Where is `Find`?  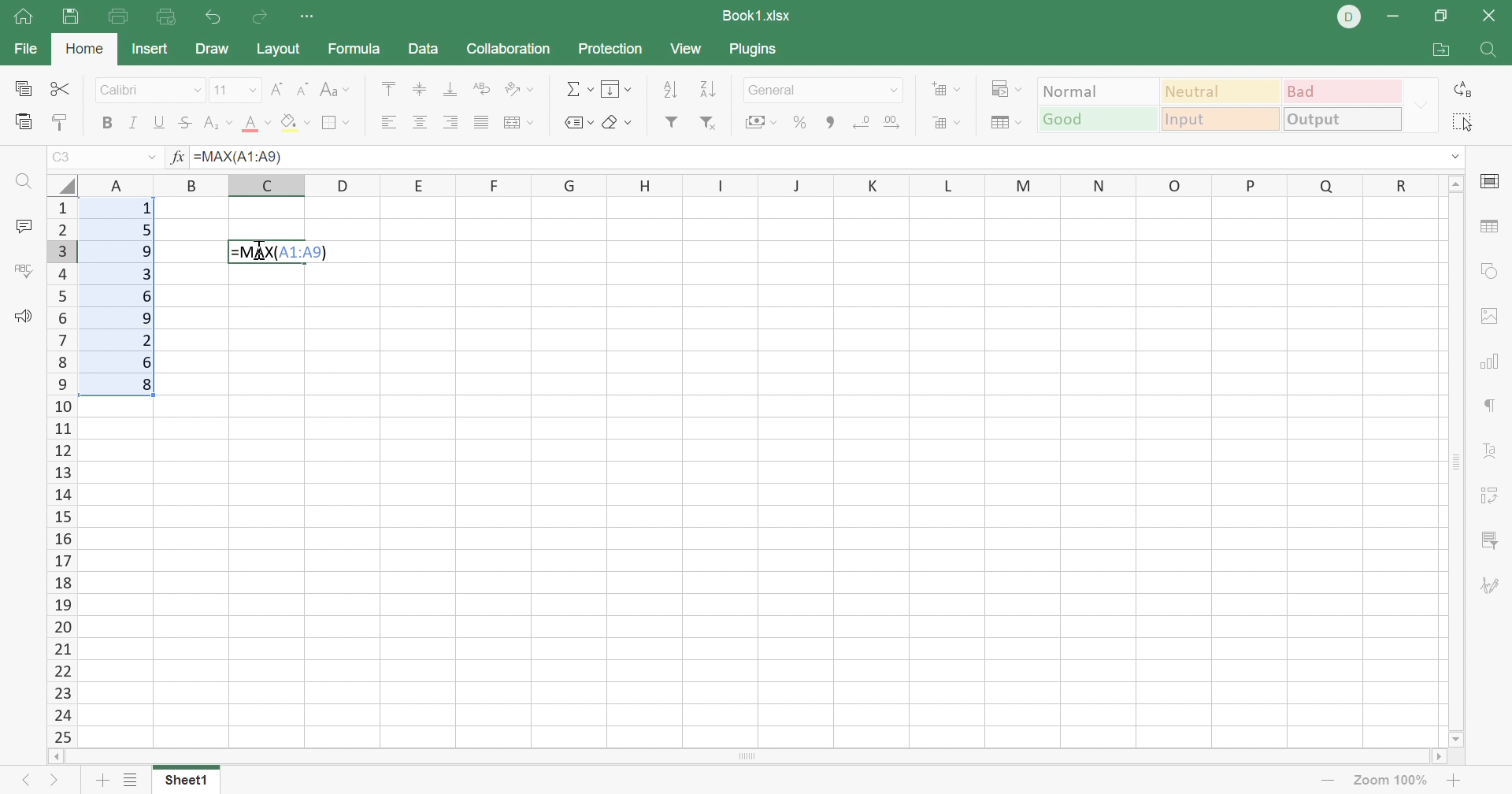 Find is located at coordinates (1492, 52).